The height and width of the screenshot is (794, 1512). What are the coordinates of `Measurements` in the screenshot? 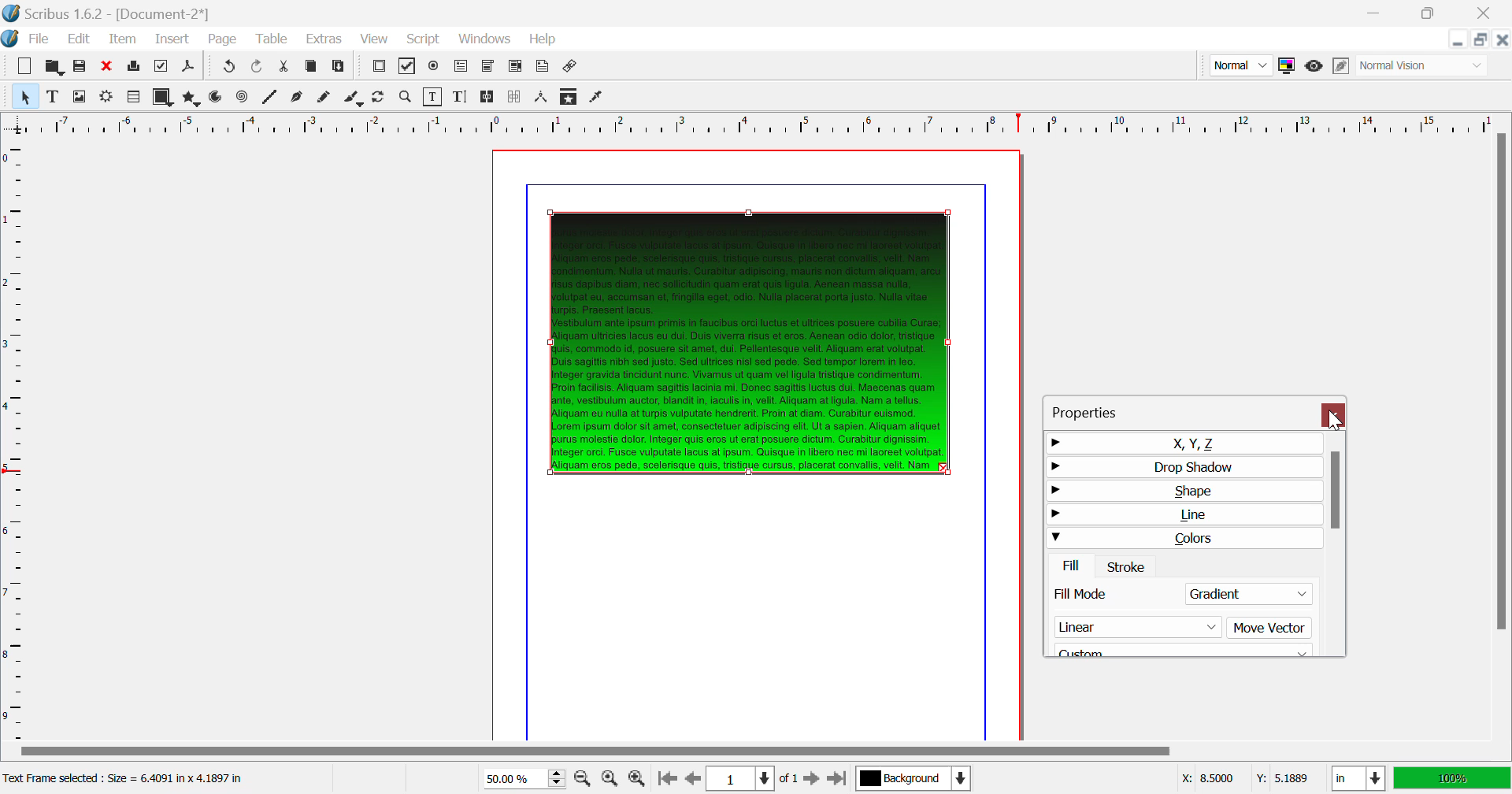 It's located at (543, 98).